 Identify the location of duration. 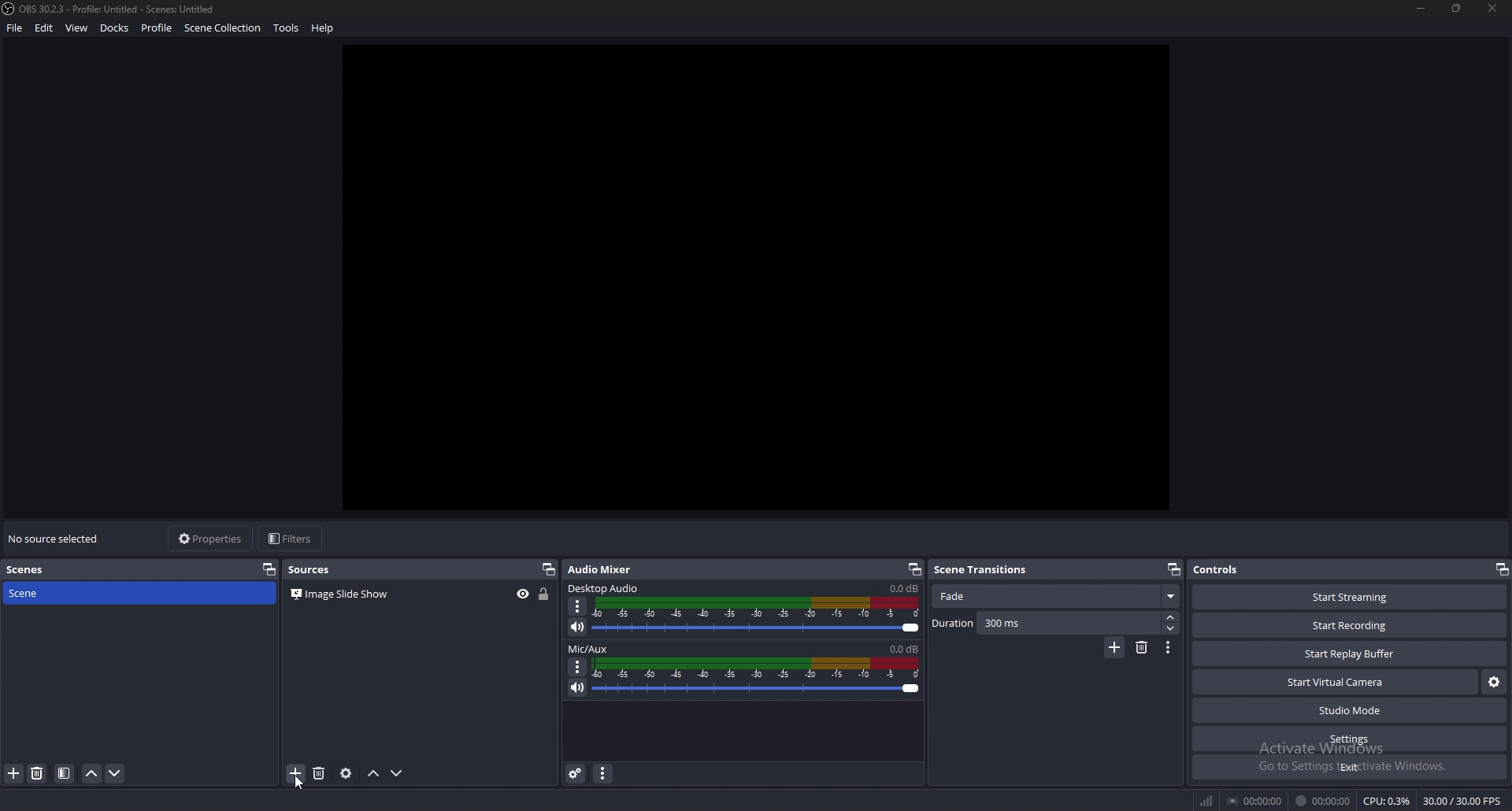
(1046, 622).